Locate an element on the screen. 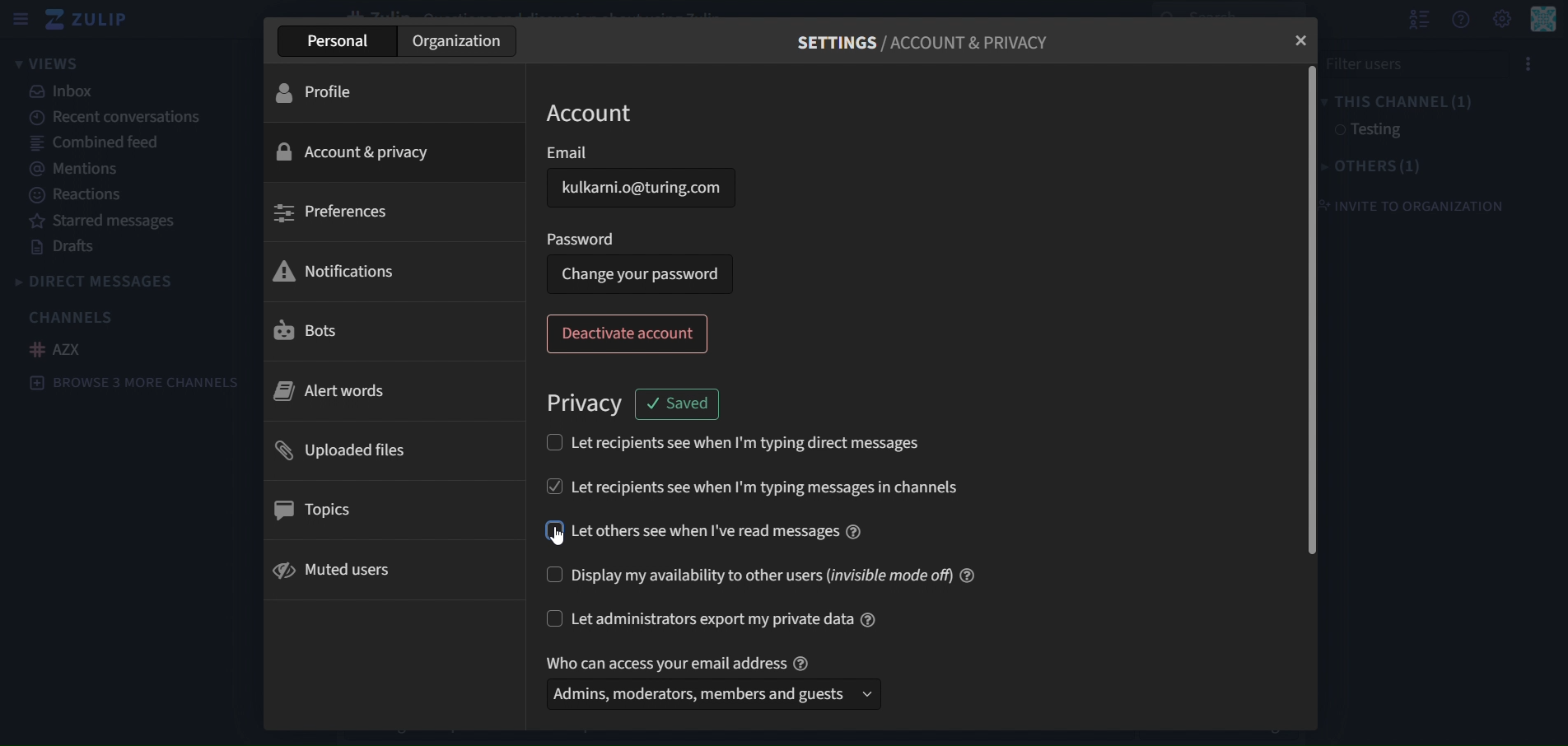 This screenshot has width=1568, height=746. close is located at coordinates (1303, 39).